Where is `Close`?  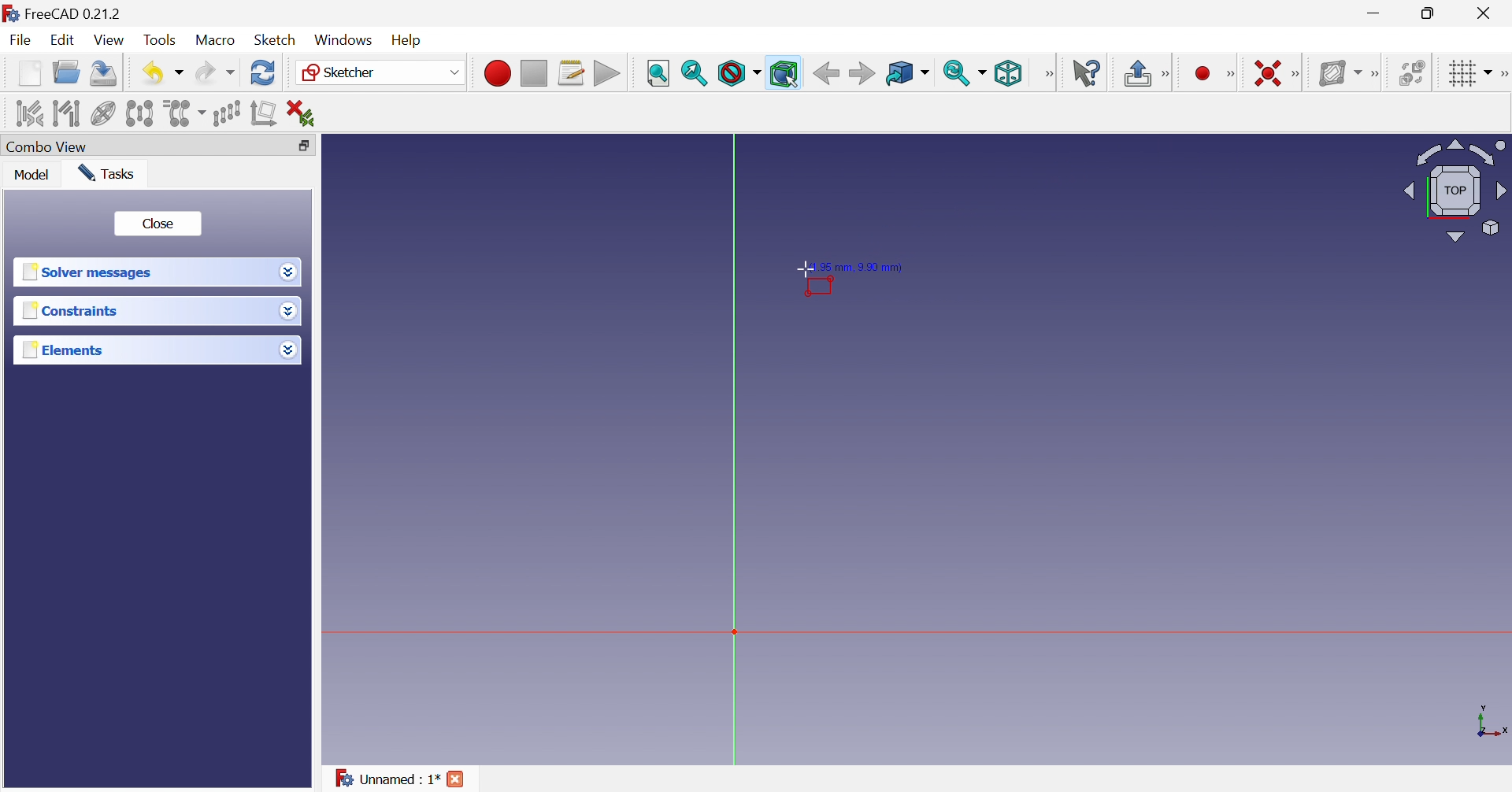 Close is located at coordinates (159, 224).